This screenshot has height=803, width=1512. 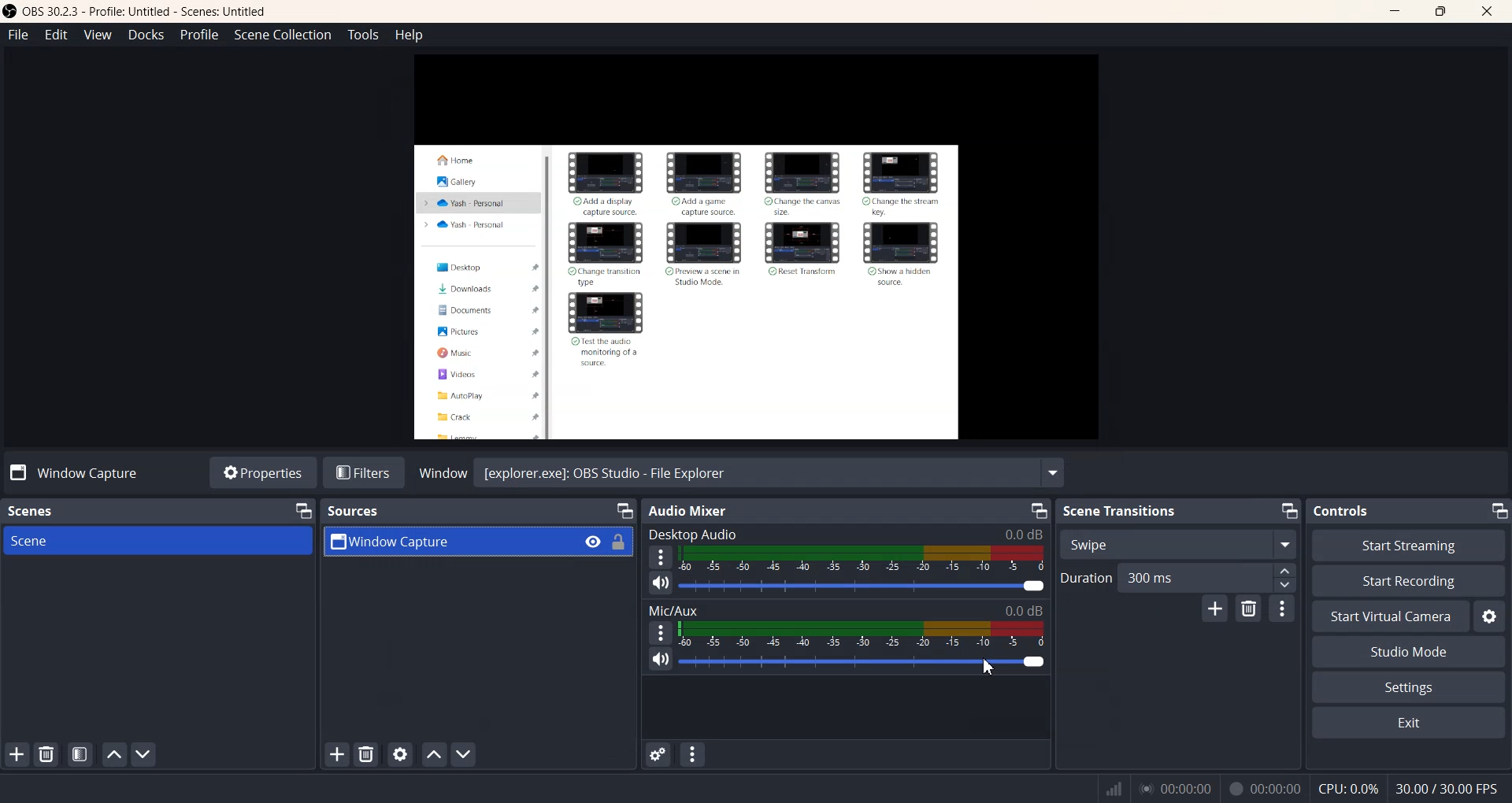 I want to click on Minimize, so click(x=1039, y=511).